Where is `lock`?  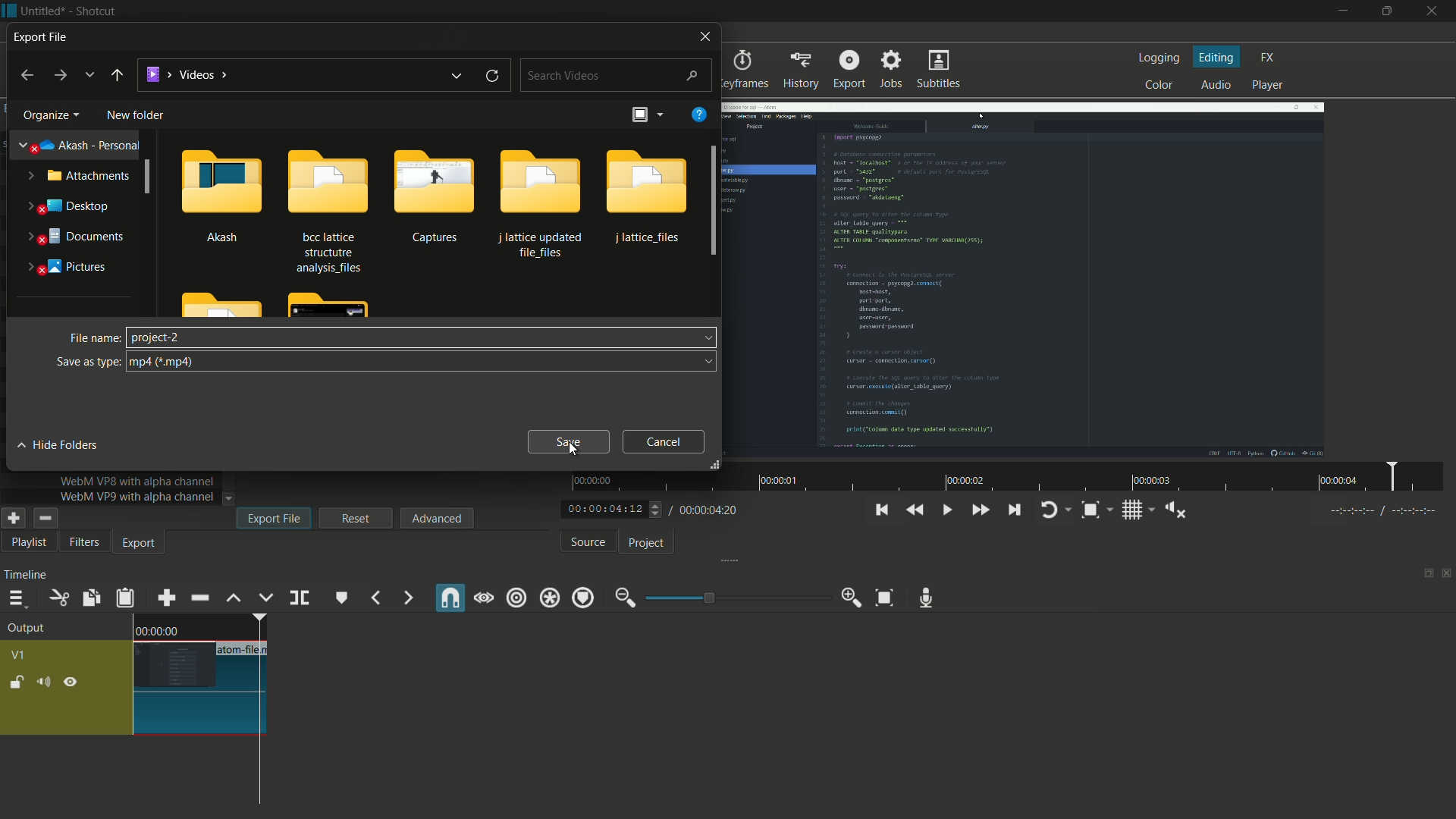 lock is located at coordinates (17, 682).